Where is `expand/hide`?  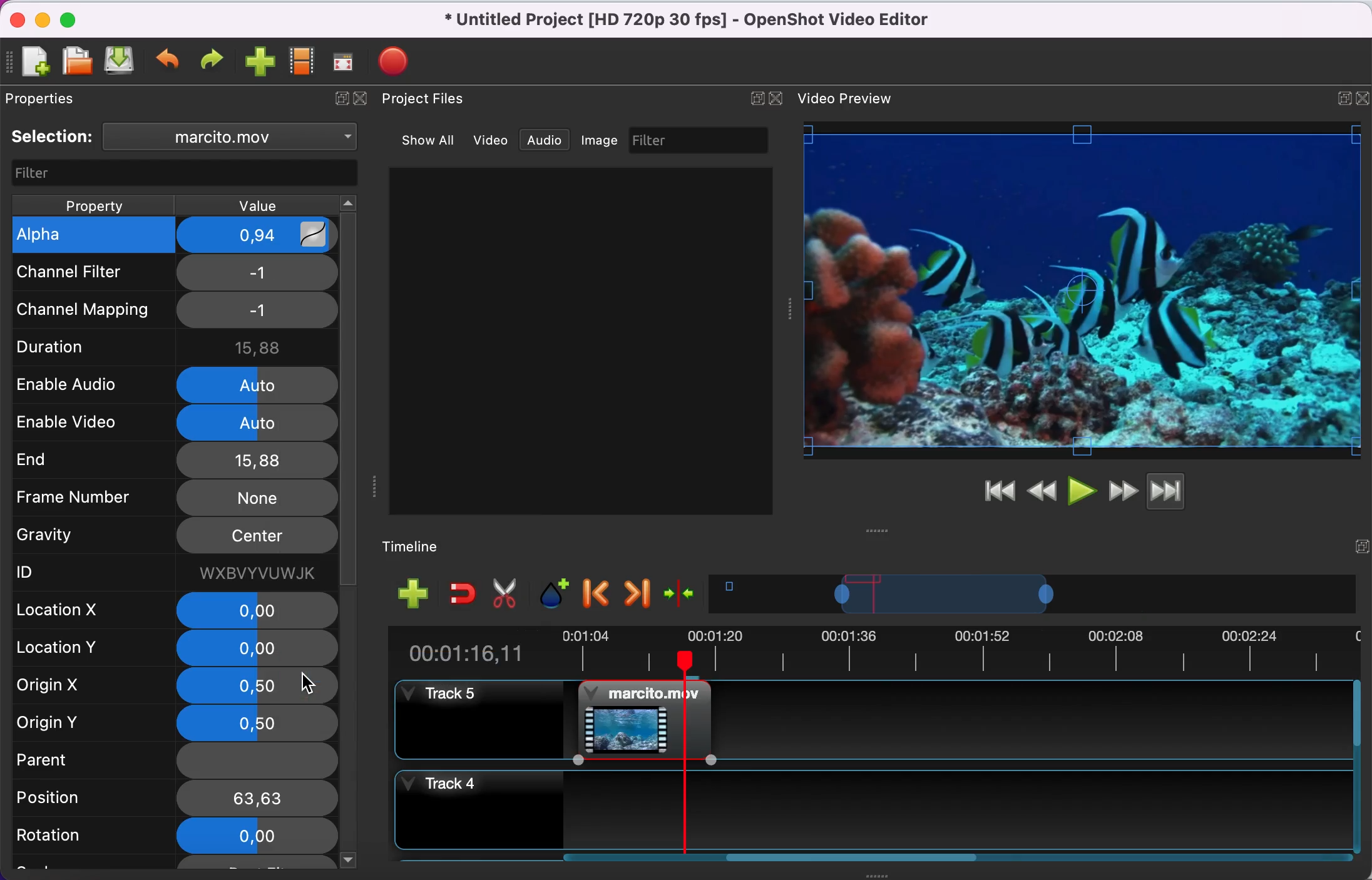
expand/hide is located at coordinates (1363, 95).